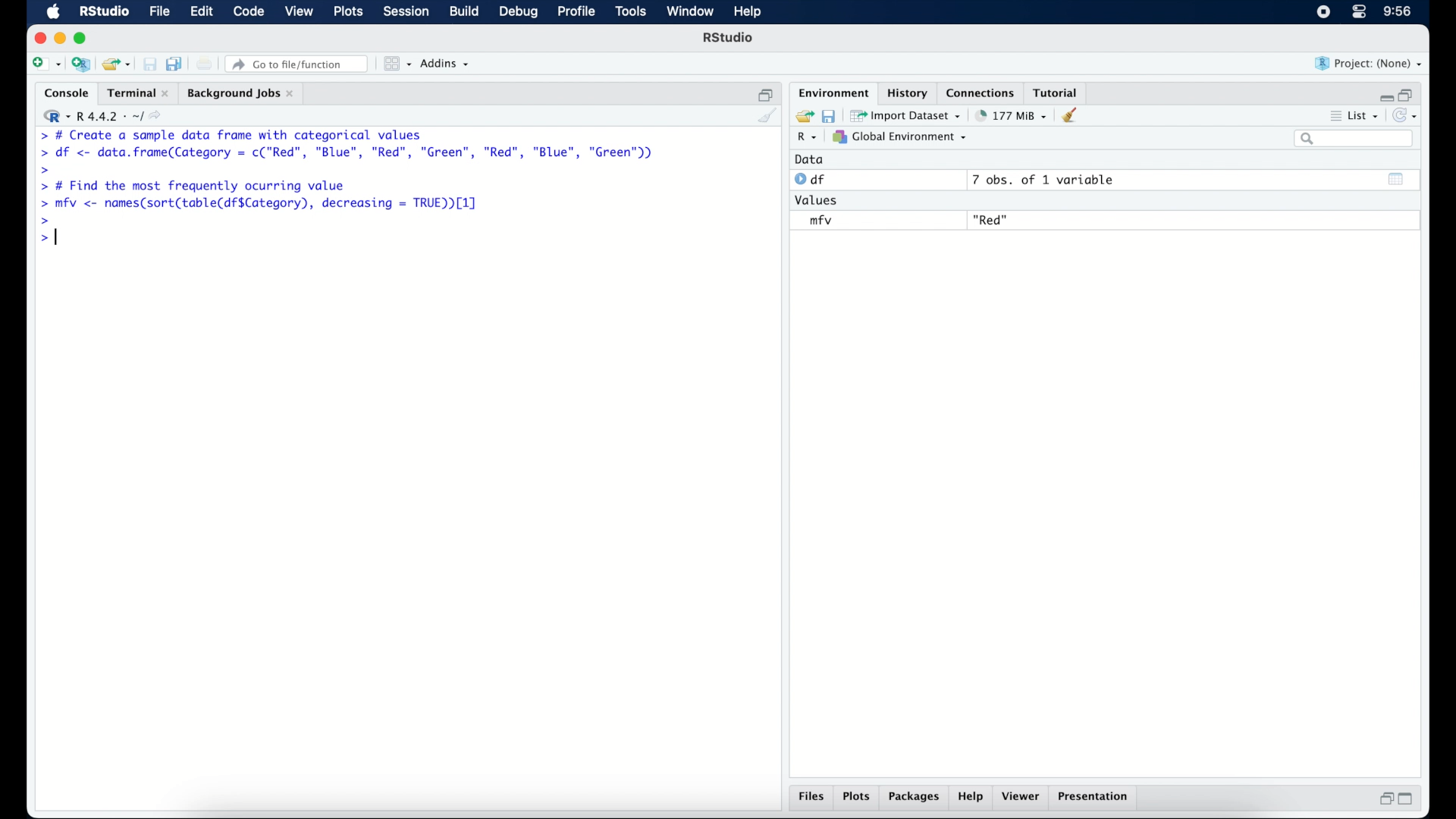 This screenshot has width=1456, height=819. What do you see at coordinates (1398, 181) in the screenshot?
I see `show output window` at bounding box center [1398, 181].